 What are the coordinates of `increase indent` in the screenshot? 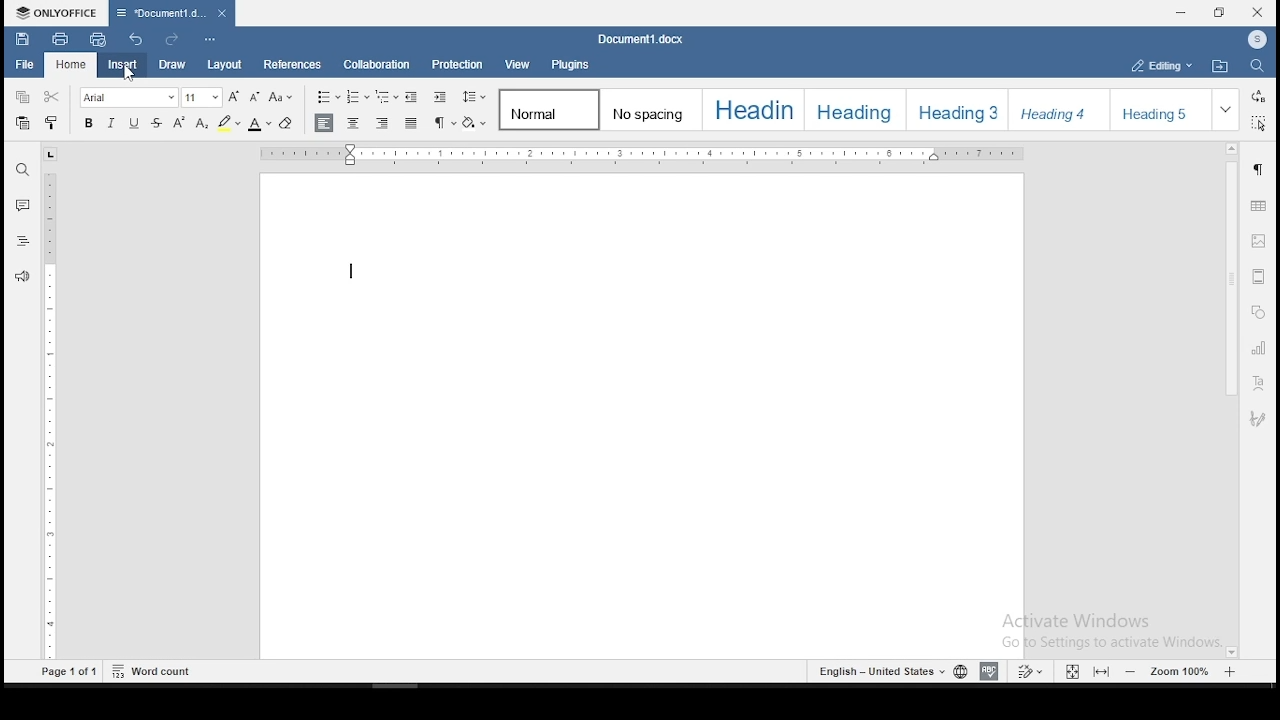 It's located at (441, 97).